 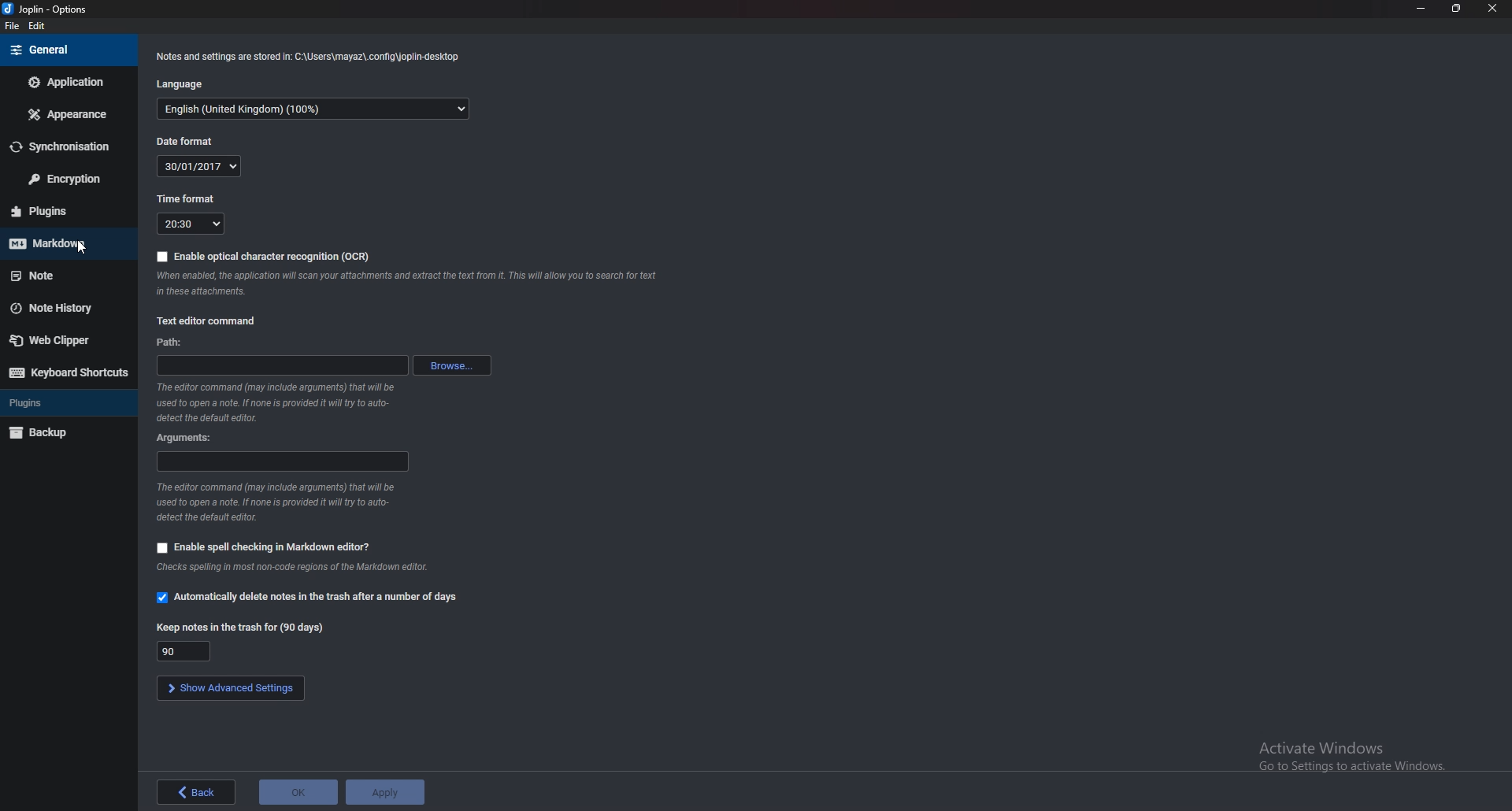 What do you see at coordinates (1362, 761) in the screenshot?
I see `Activate windows pop up` at bounding box center [1362, 761].